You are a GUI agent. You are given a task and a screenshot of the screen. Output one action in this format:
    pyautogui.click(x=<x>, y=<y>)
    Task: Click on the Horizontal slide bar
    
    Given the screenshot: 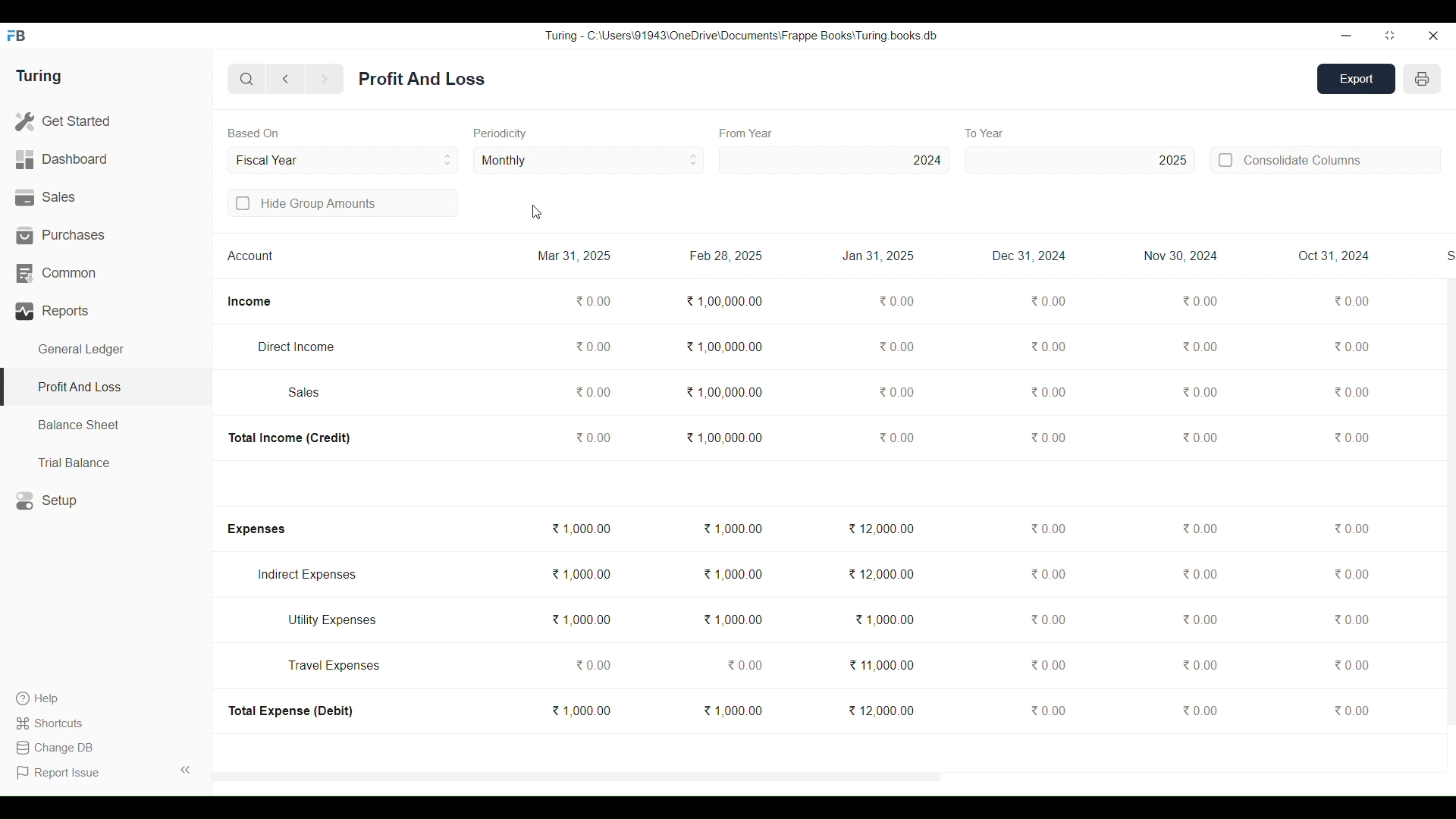 What is the action you would take?
    pyautogui.click(x=578, y=777)
    